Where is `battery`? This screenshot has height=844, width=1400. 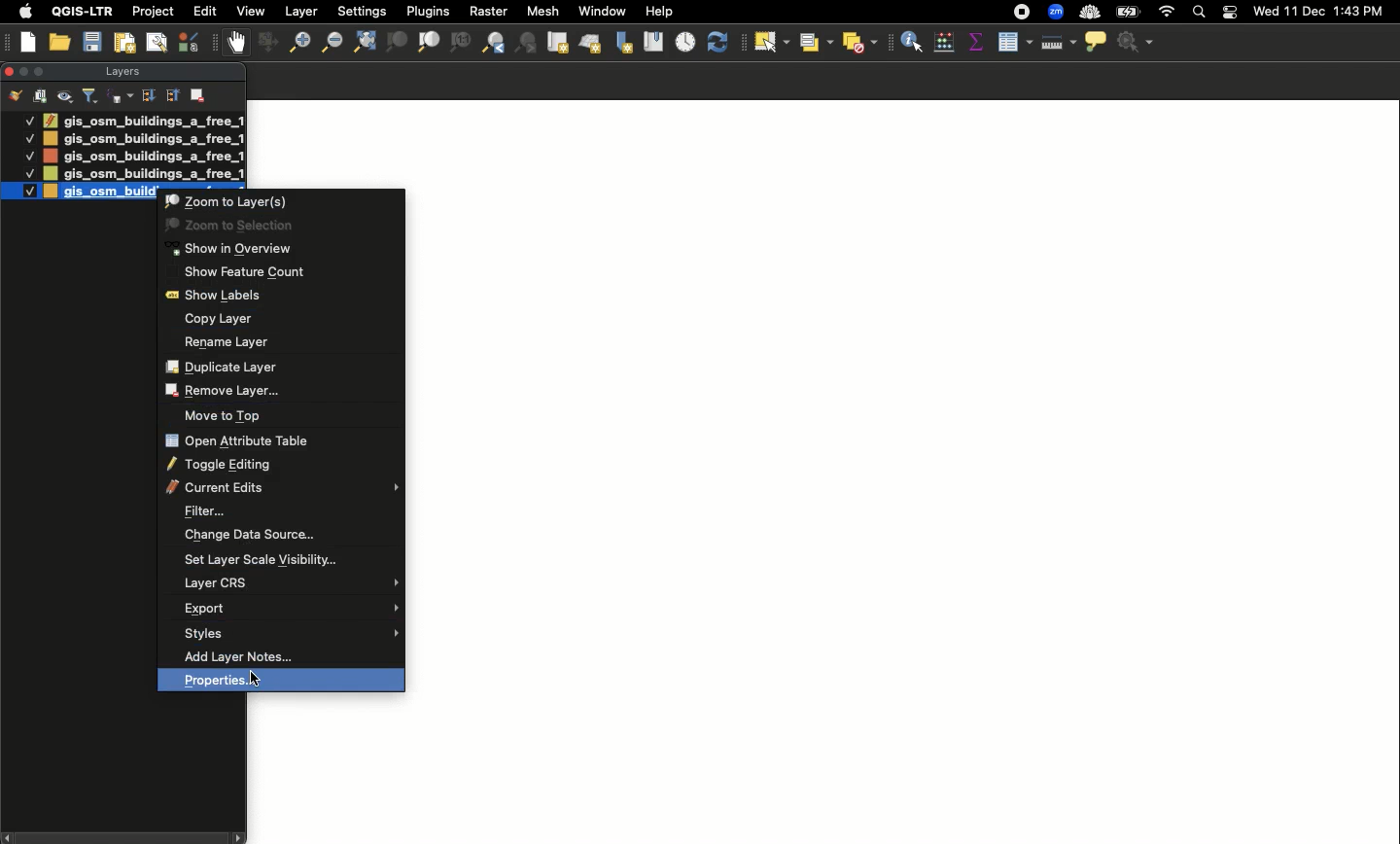
battery is located at coordinates (1132, 11).